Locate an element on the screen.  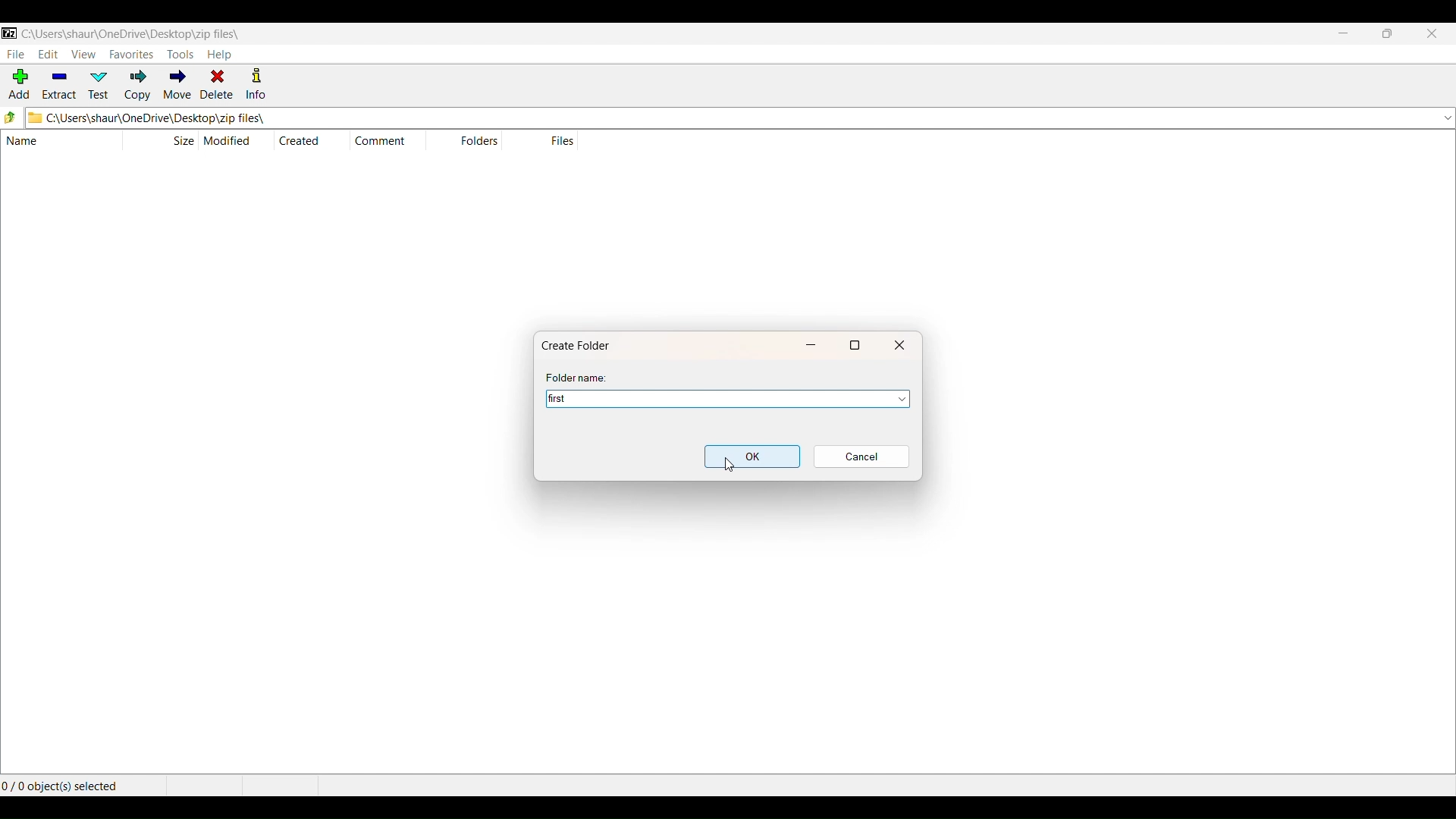
COPY is located at coordinates (138, 86).